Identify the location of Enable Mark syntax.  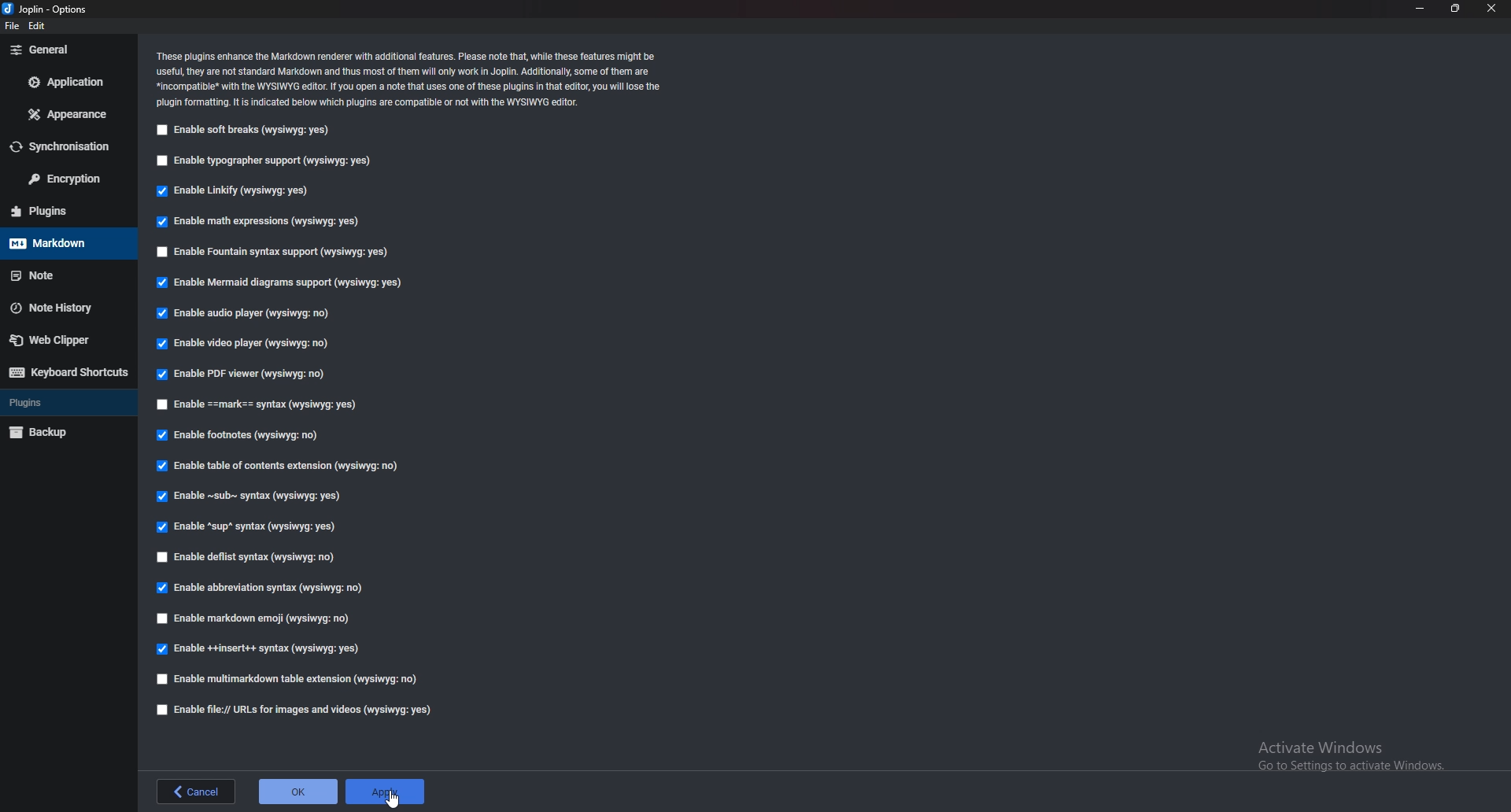
(260, 404).